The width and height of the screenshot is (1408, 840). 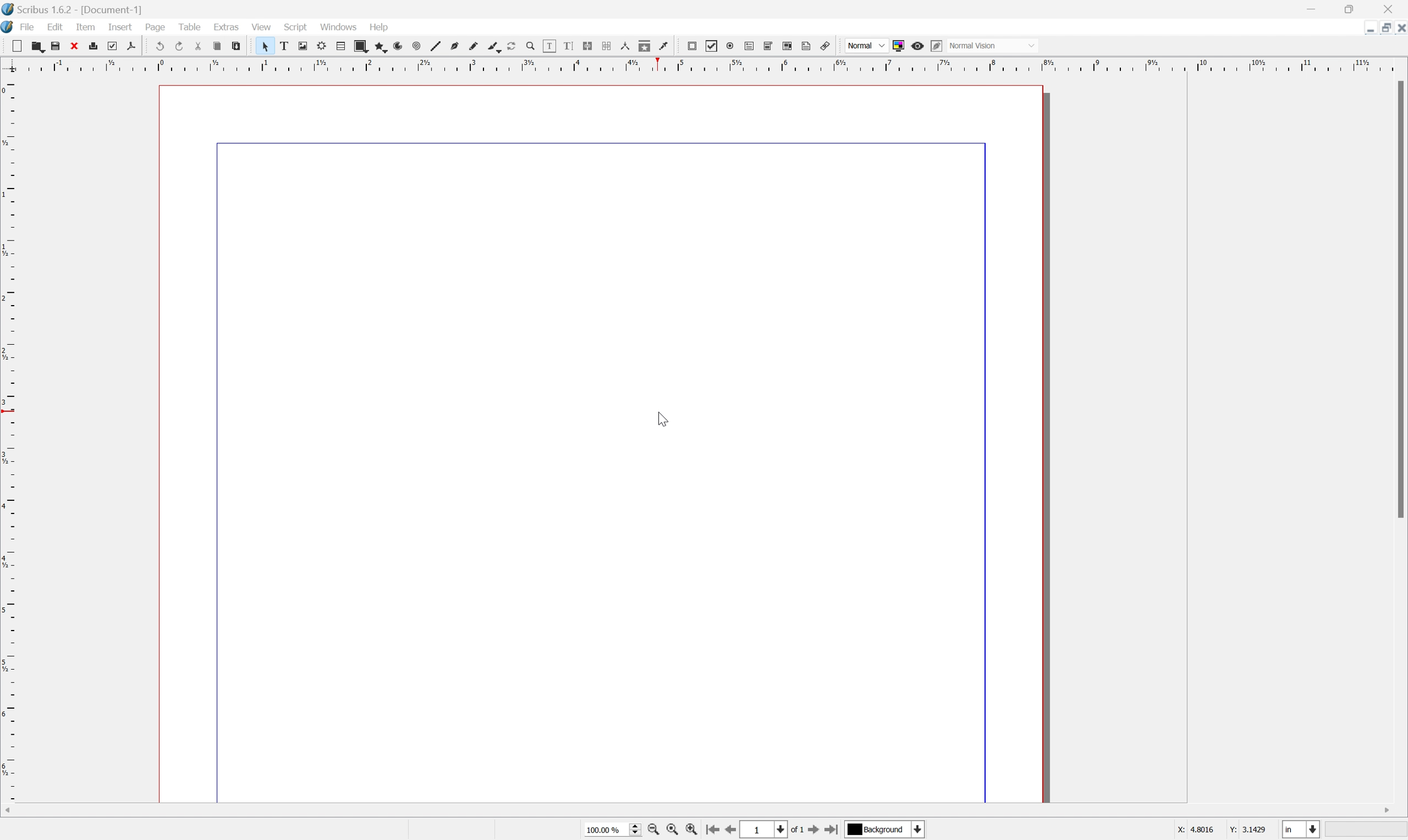 What do you see at coordinates (226, 27) in the screenshot?
I see `extras` at bounding box center [226, 27].